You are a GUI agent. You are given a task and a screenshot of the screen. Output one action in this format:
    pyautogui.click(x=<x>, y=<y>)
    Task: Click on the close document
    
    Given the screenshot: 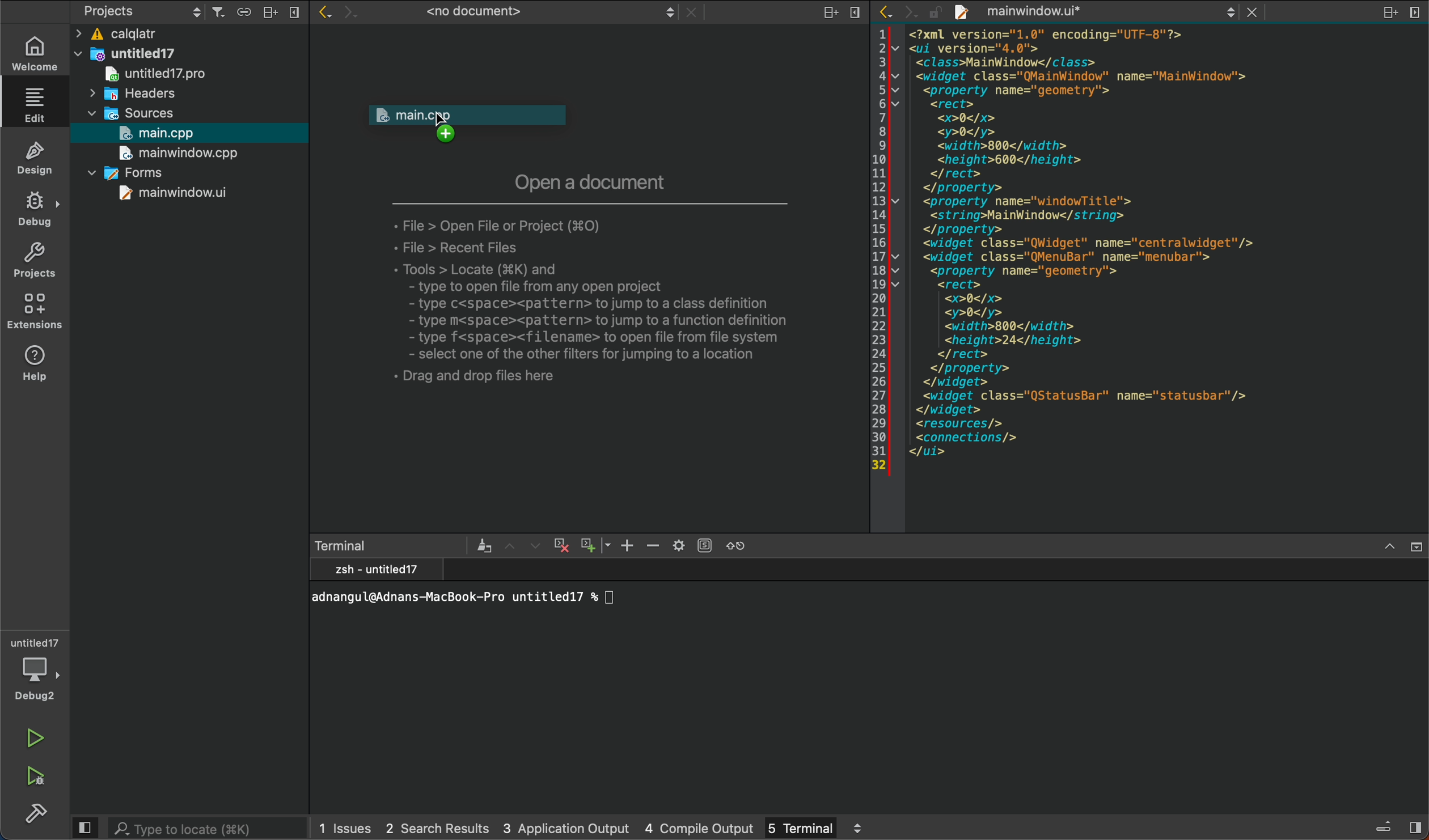 What is the action you would take?
    pyautogui.click(x=1258, y=12)
    